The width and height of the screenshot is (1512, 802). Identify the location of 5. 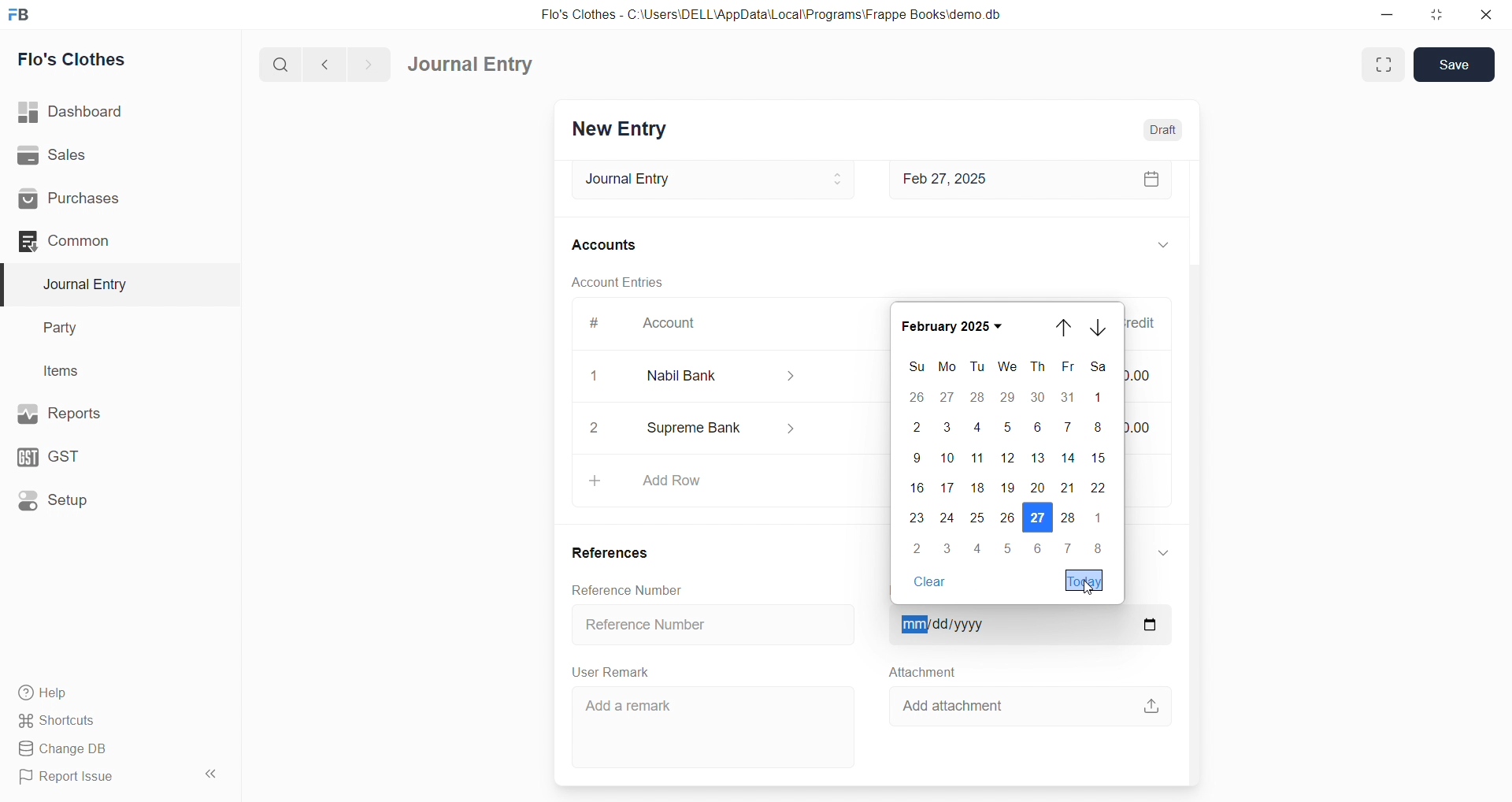
(1005, 429).